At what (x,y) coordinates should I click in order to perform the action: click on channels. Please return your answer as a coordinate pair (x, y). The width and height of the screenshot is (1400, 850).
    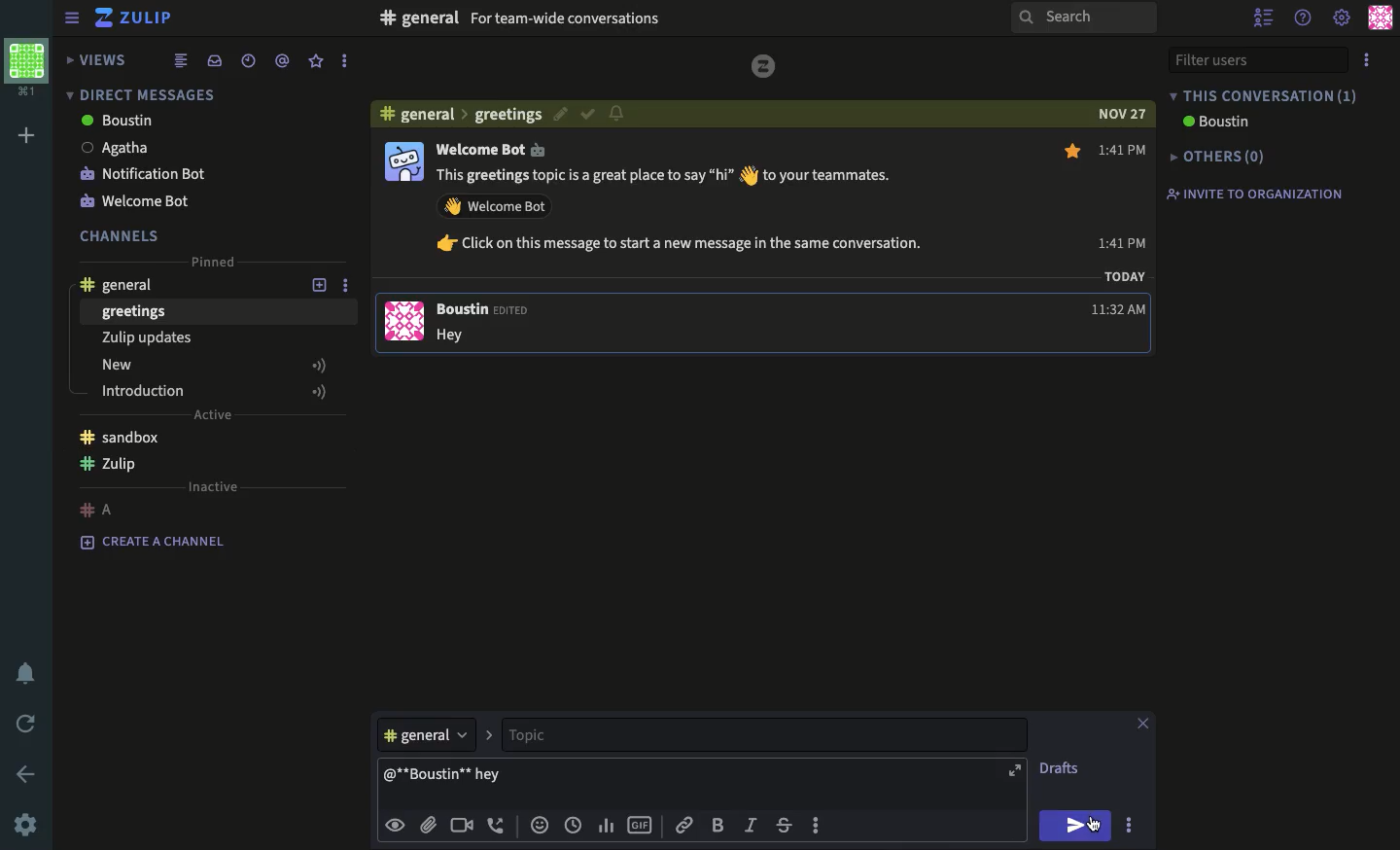
    Looking at the image, I should click on (122, 234).